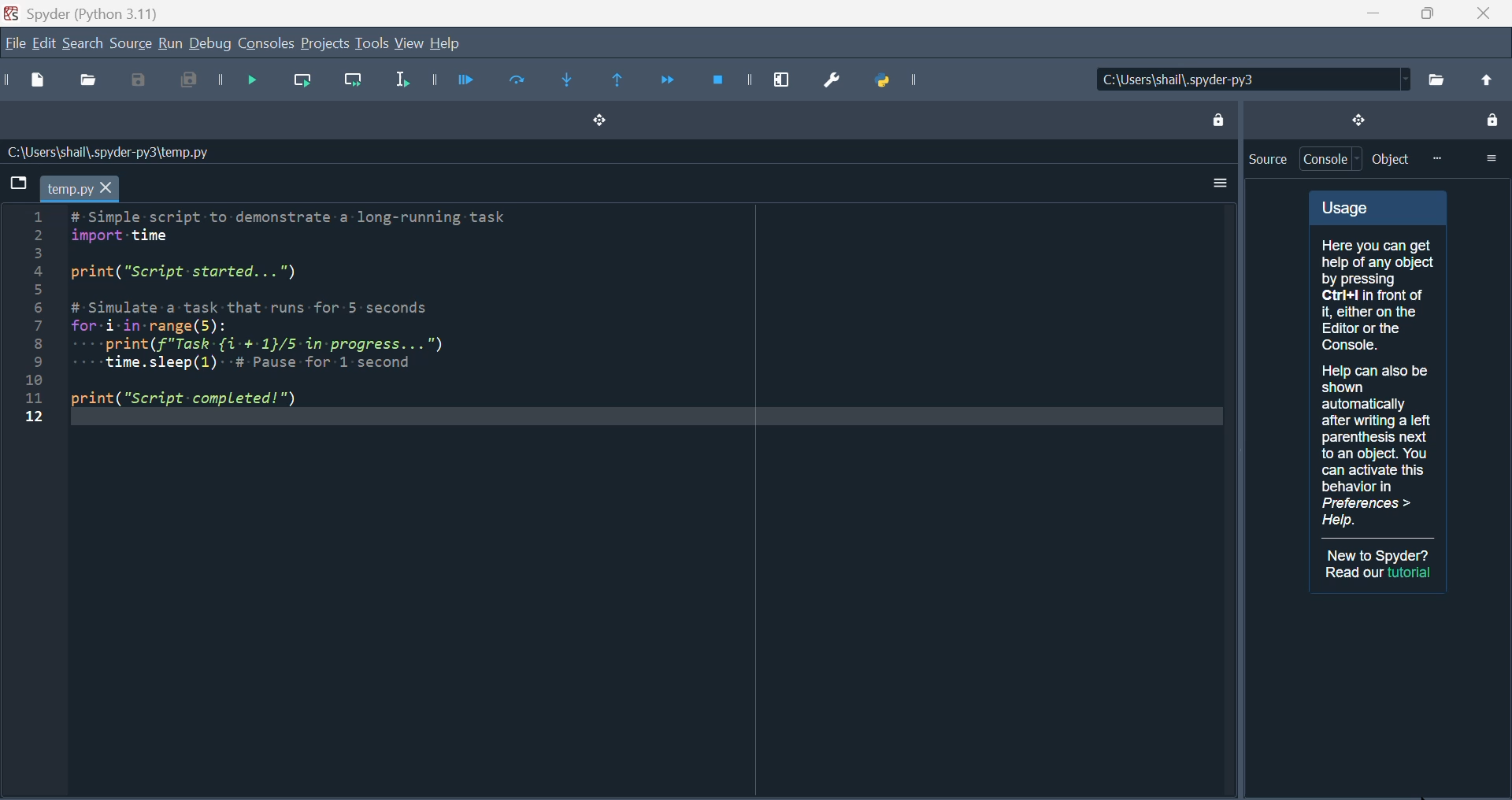  I want to click on line number, so click(33, 317).